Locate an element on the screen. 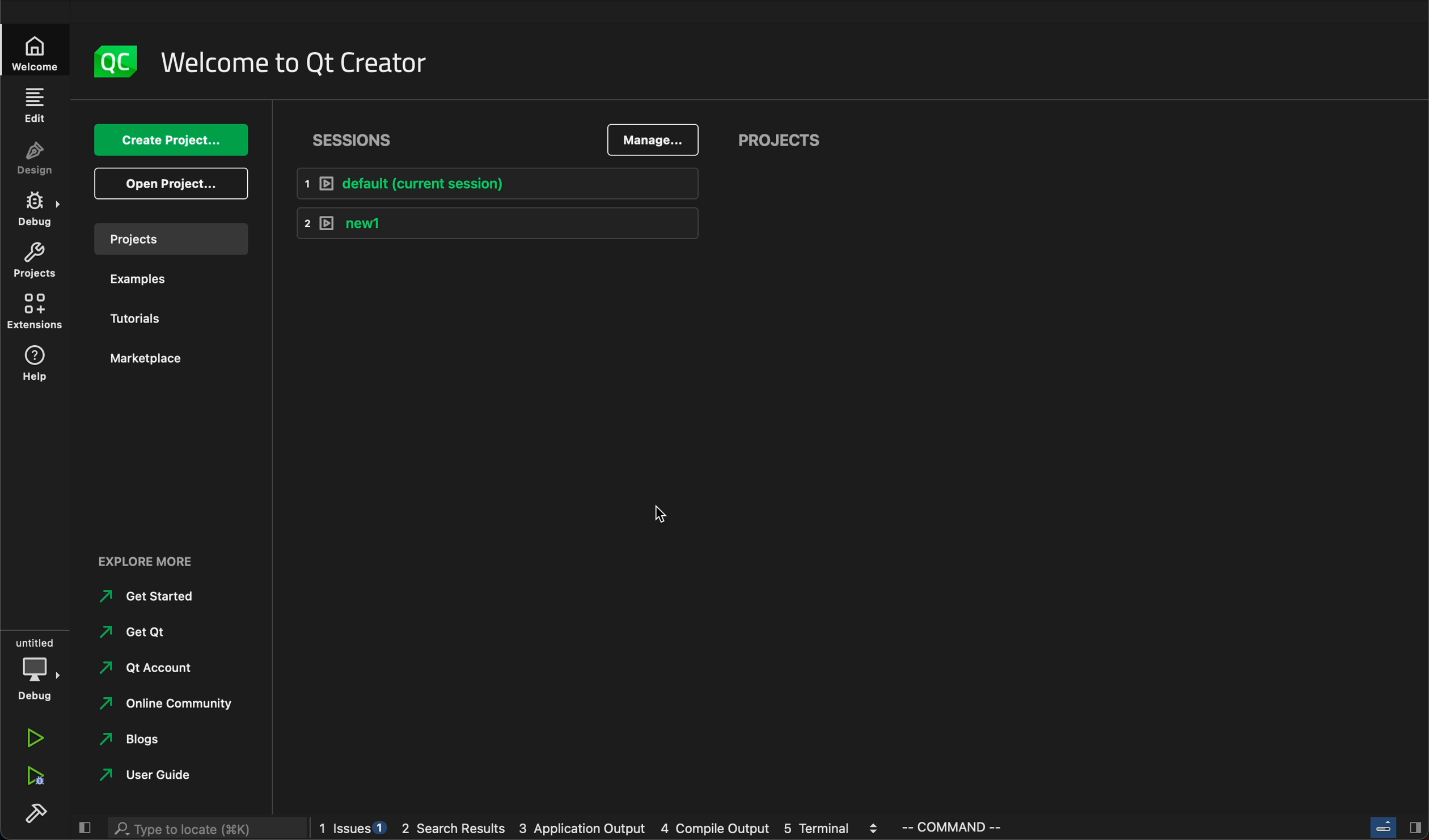 This screenshot has width=1429, height=840. projects is located at coordinates (171, 239).